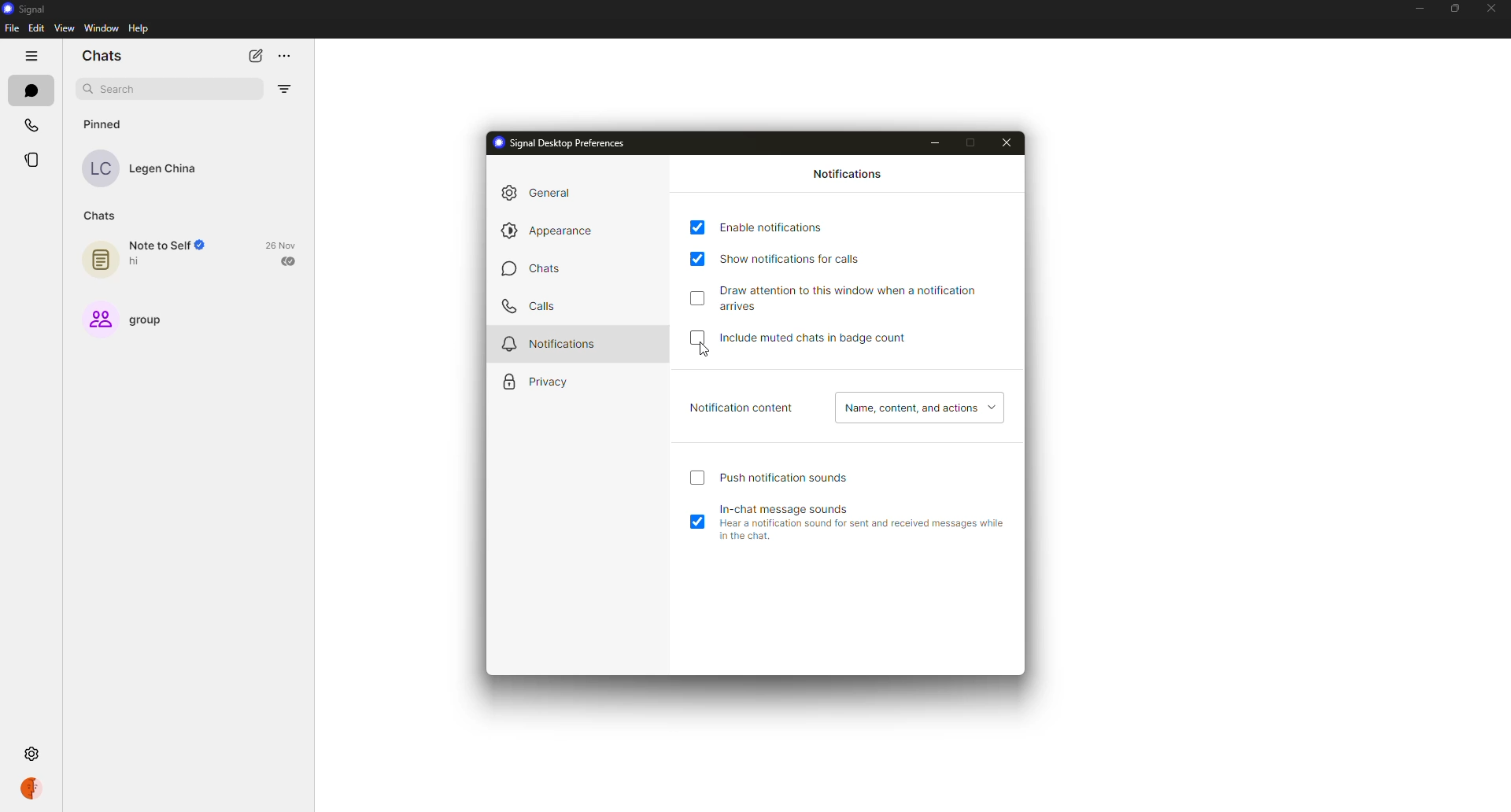 The image size is (1511, 812). Describe the element at coordinates (35, 29) in the screenshot. I see `edit` at that location.